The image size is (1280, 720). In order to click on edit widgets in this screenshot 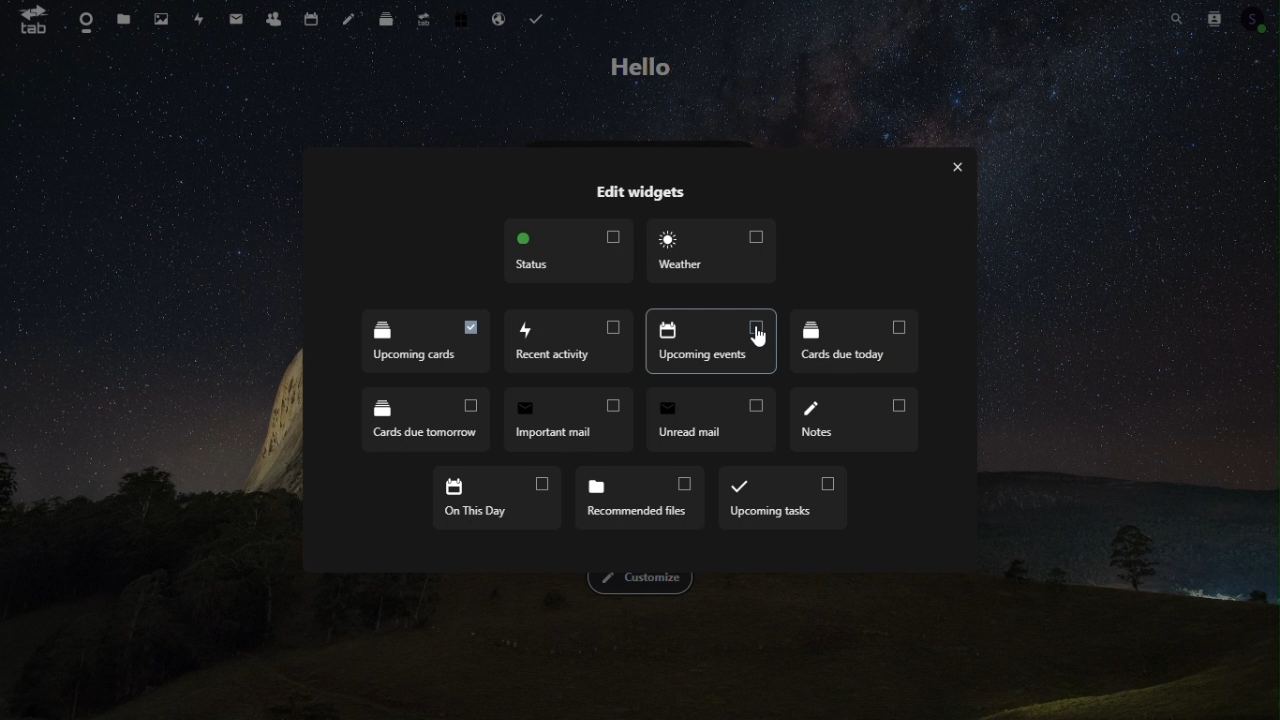, I will do `click(639, 195)`.